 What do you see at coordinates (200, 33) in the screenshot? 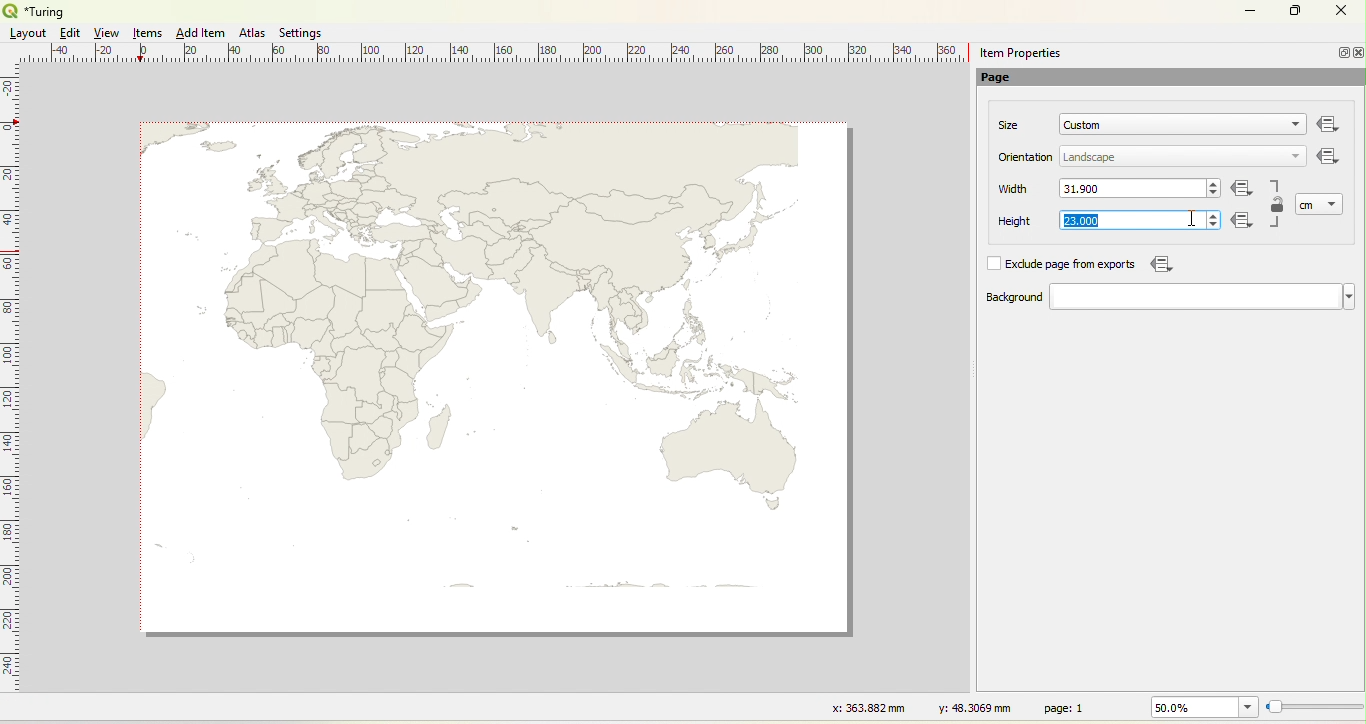
I see `Add Item` at bounding box center [200, 33].